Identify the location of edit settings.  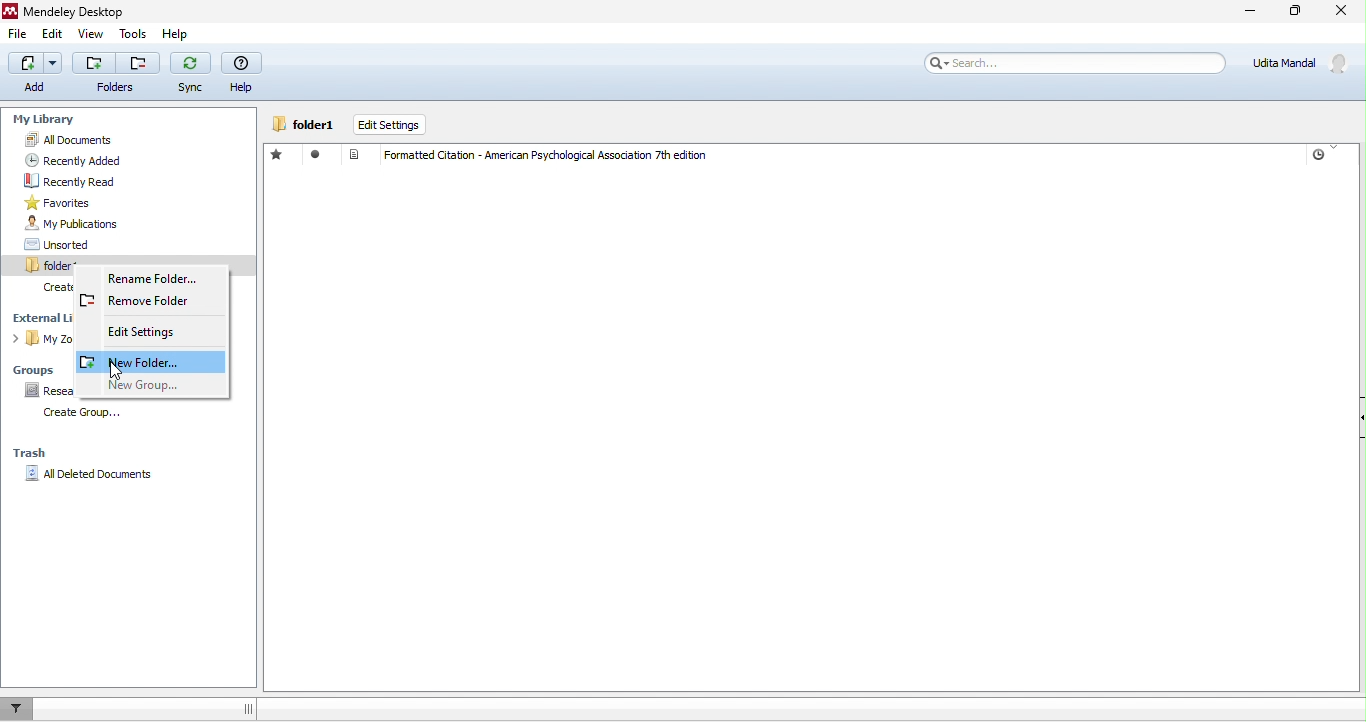
(390, 124).